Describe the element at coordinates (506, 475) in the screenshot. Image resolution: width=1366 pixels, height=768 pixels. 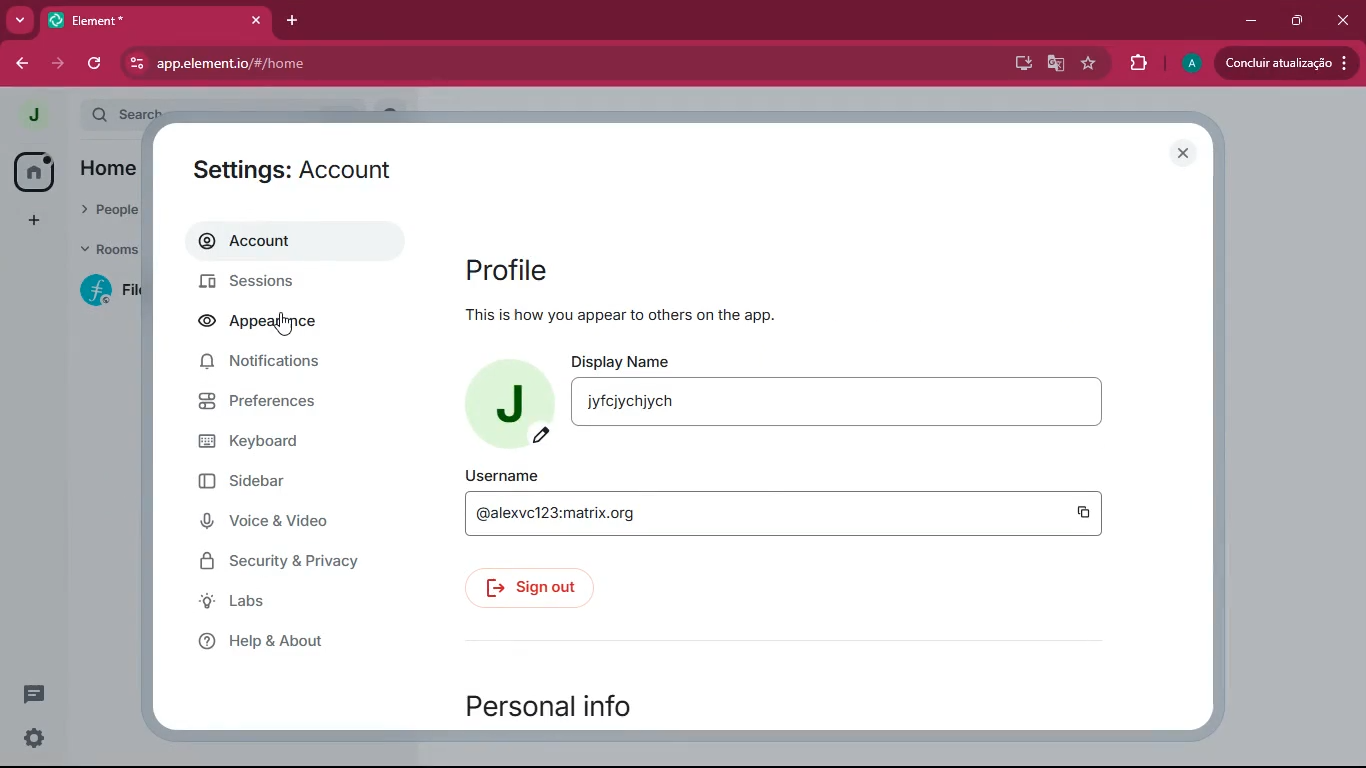
I see `Username` at that location.